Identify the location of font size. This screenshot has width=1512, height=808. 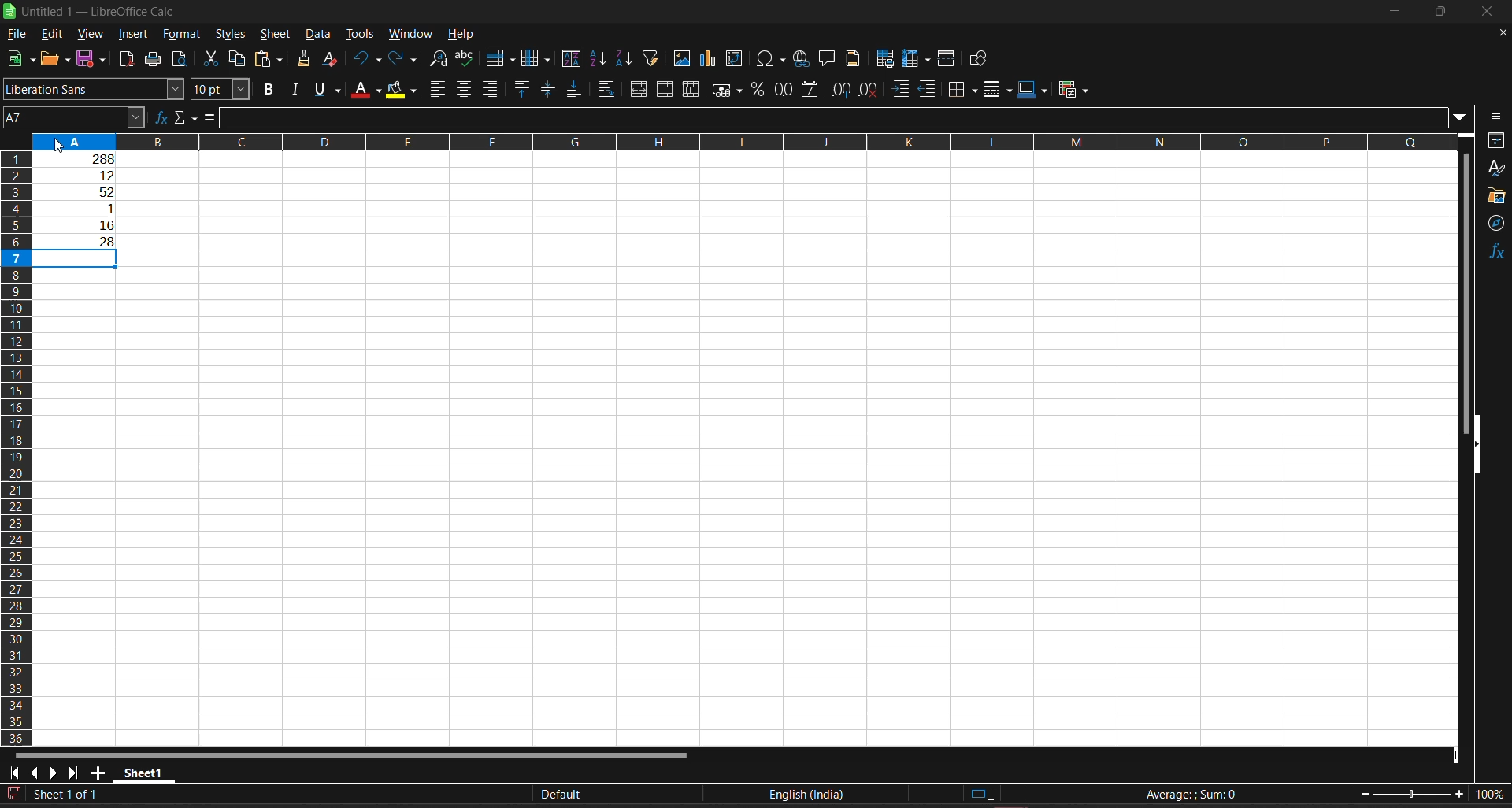
(222, 88).